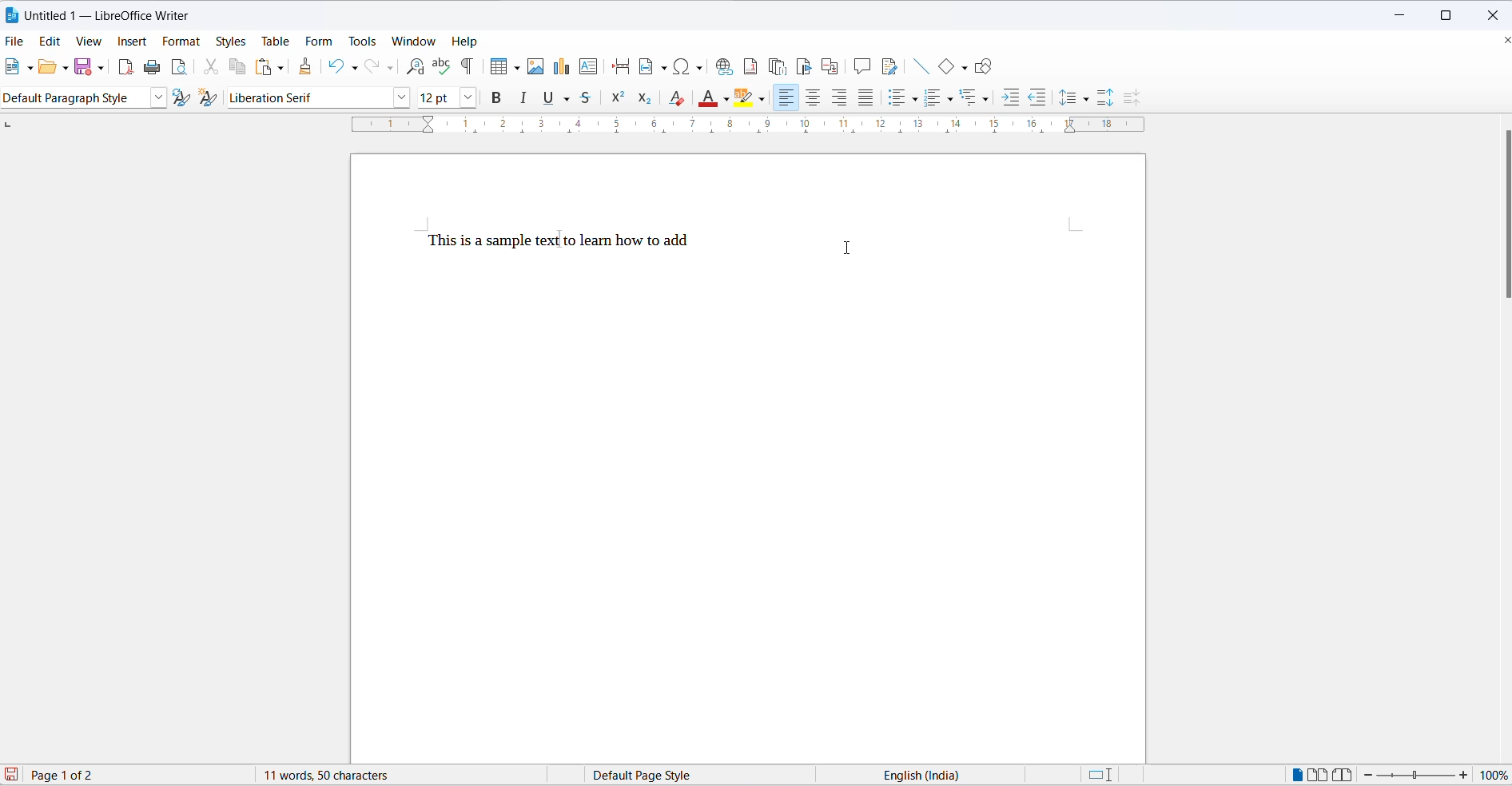 This screenshot has height=786, width=1512. What do you see at coordinates (726, 99) in the screenshot?
I see `font color options` at bounding box center [726, 99].